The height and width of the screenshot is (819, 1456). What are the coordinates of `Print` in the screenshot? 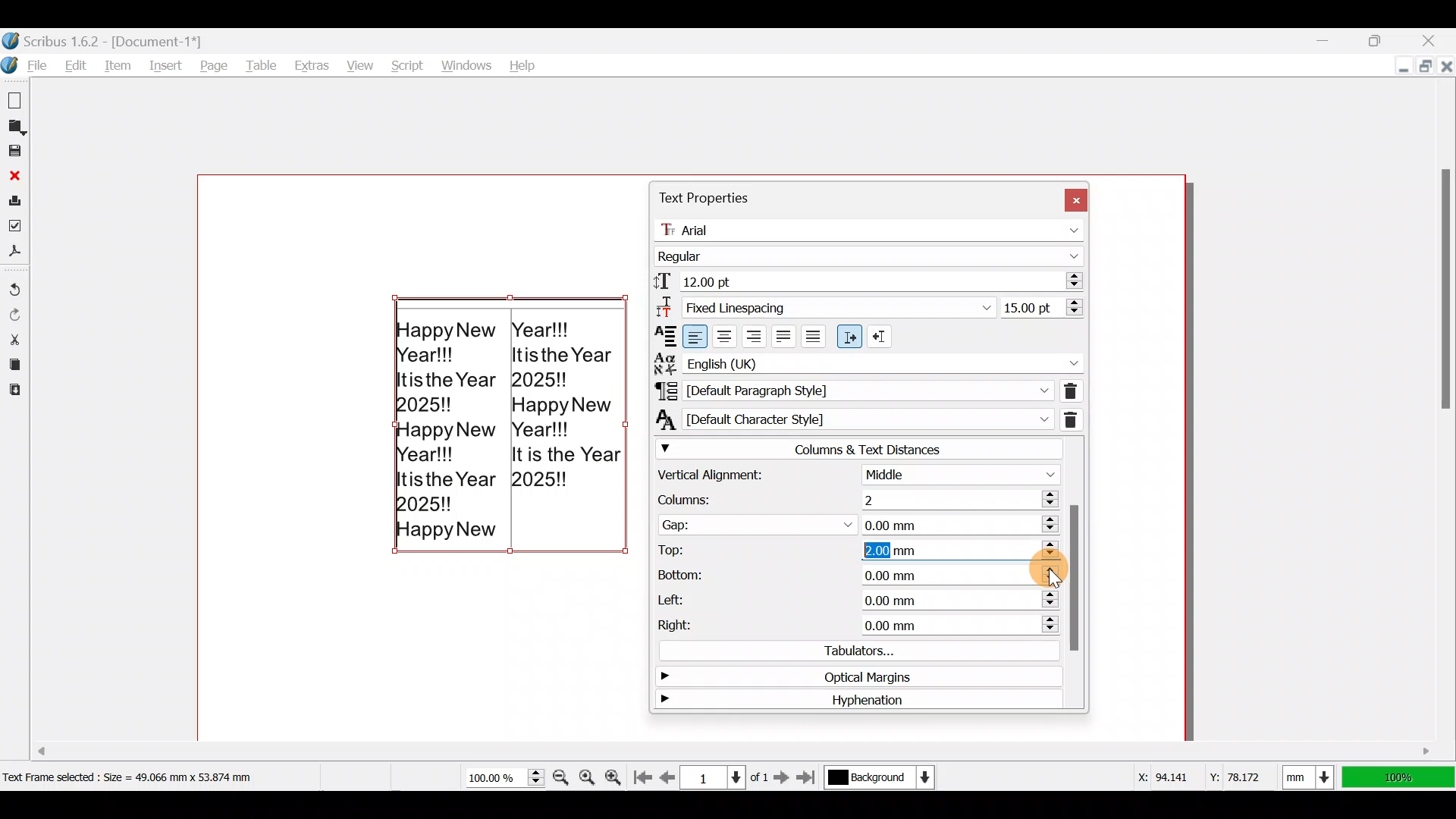 It's located at (15, 200).